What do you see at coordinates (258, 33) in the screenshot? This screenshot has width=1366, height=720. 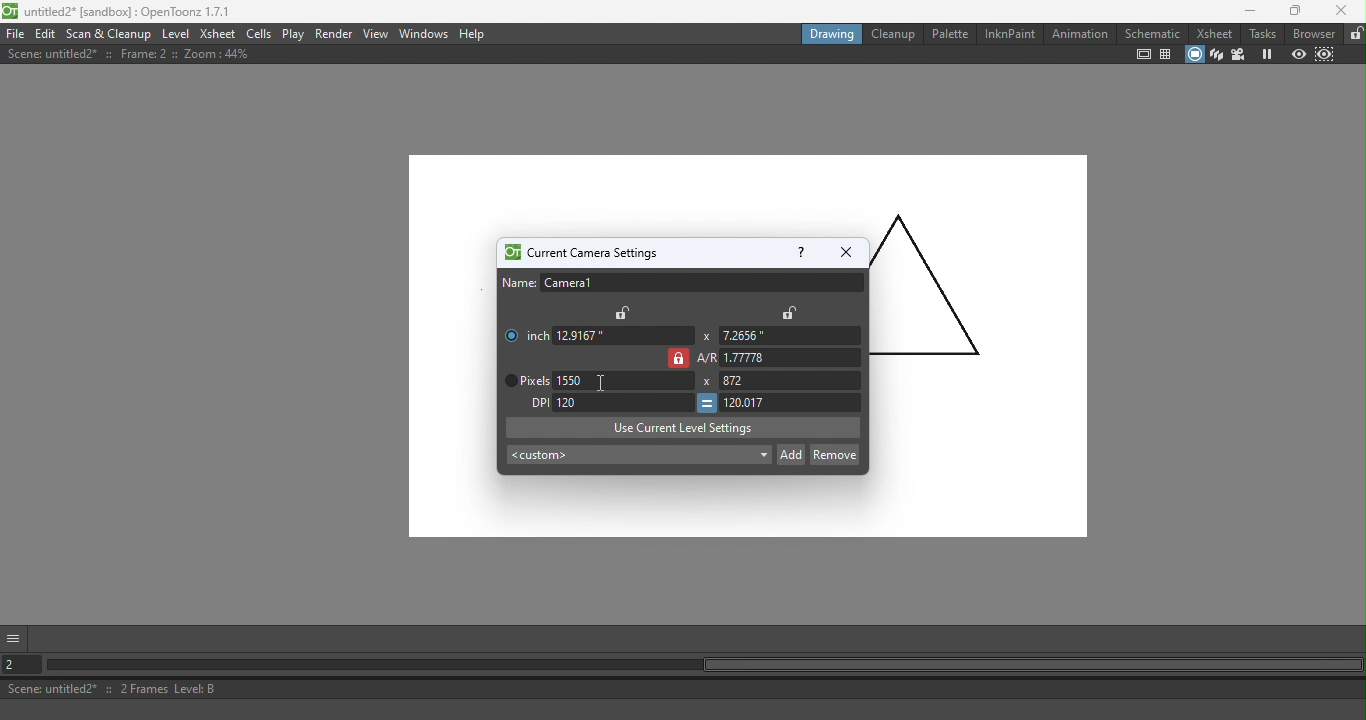 I see `Cells` at bounding box center [258, 33].